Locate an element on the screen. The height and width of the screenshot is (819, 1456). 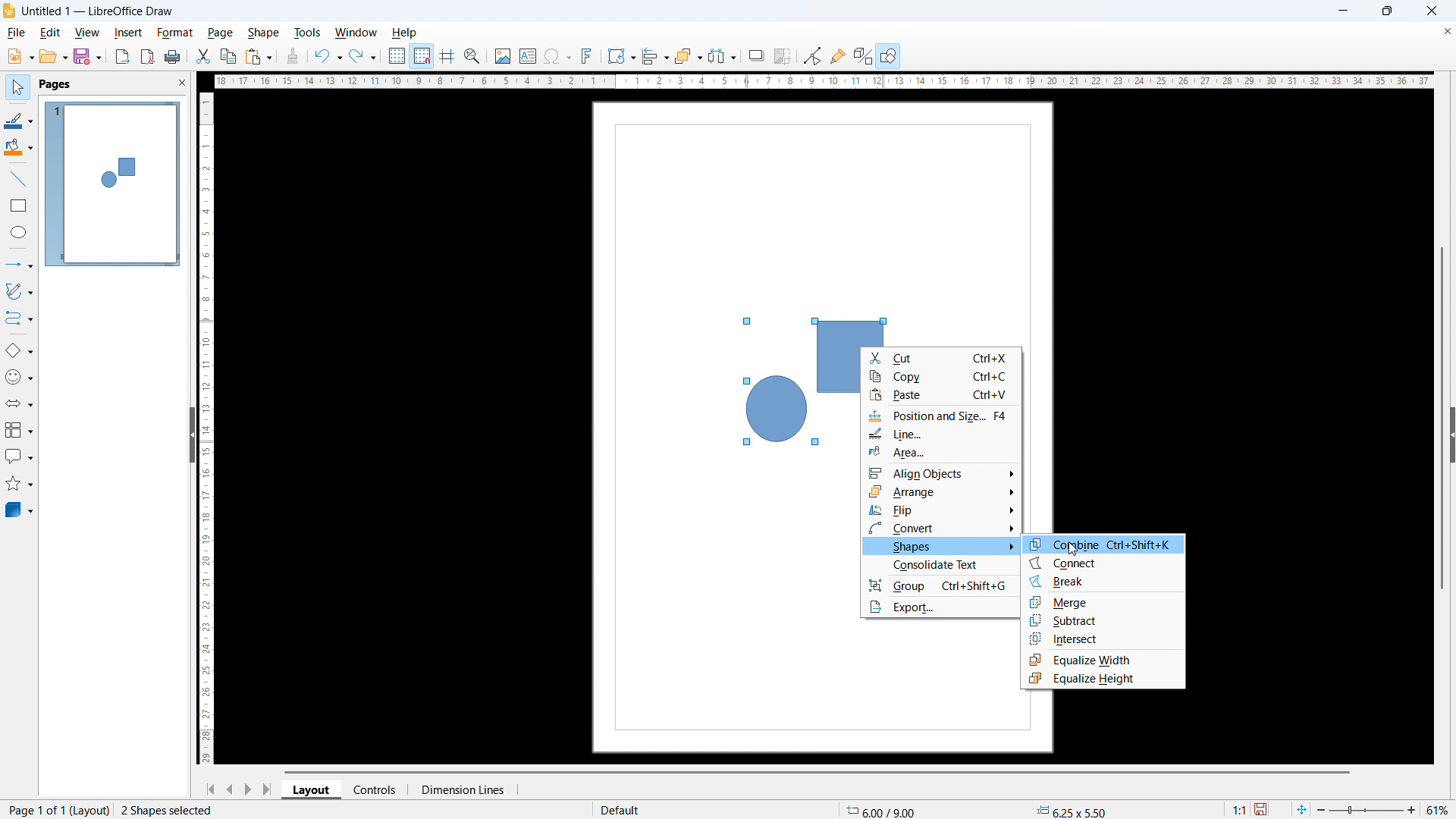
break is located at coordinates (1104, 582).